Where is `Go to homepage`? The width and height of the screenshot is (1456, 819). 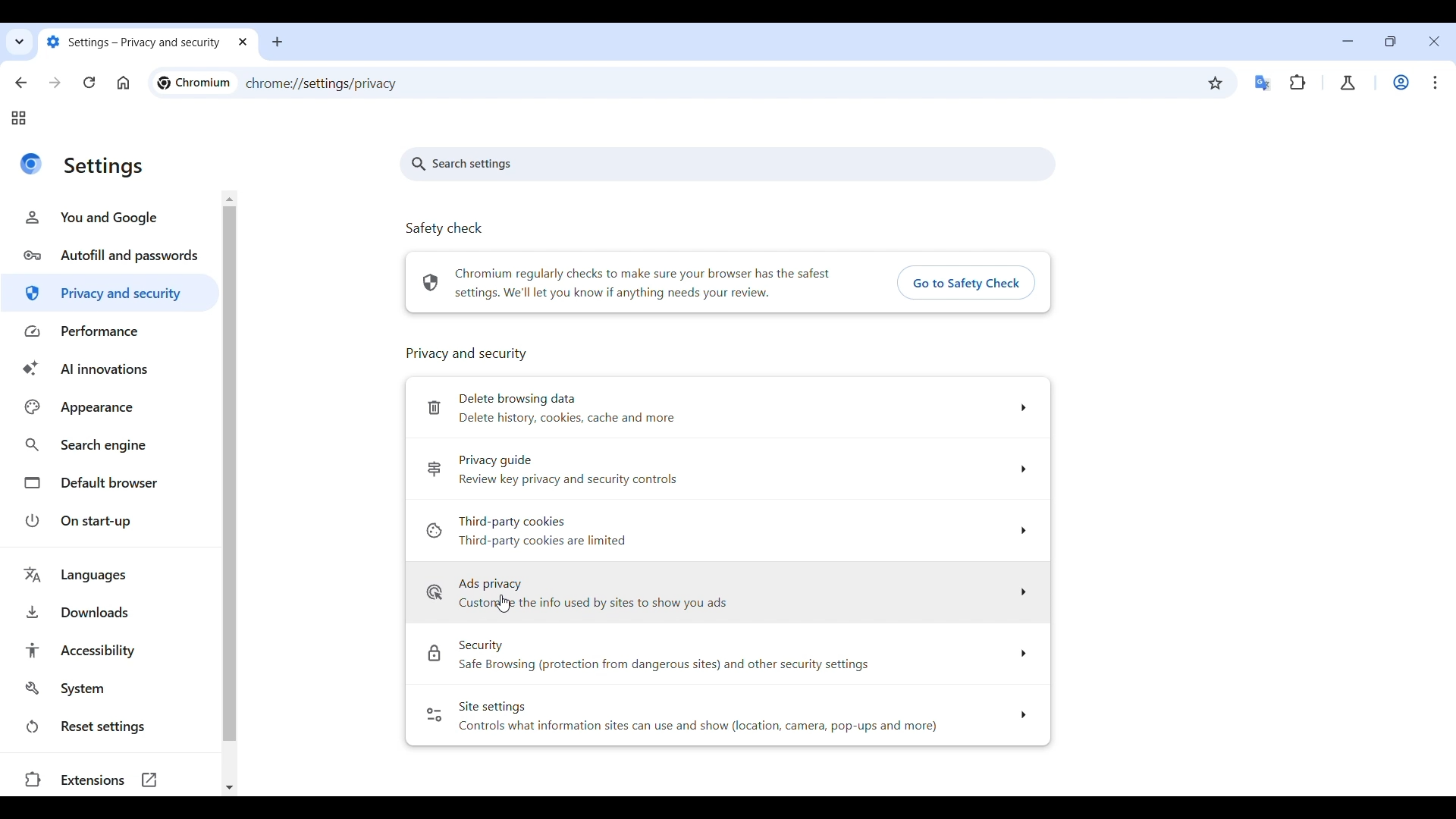
Go to homepage is located at coordinates (124, 83).